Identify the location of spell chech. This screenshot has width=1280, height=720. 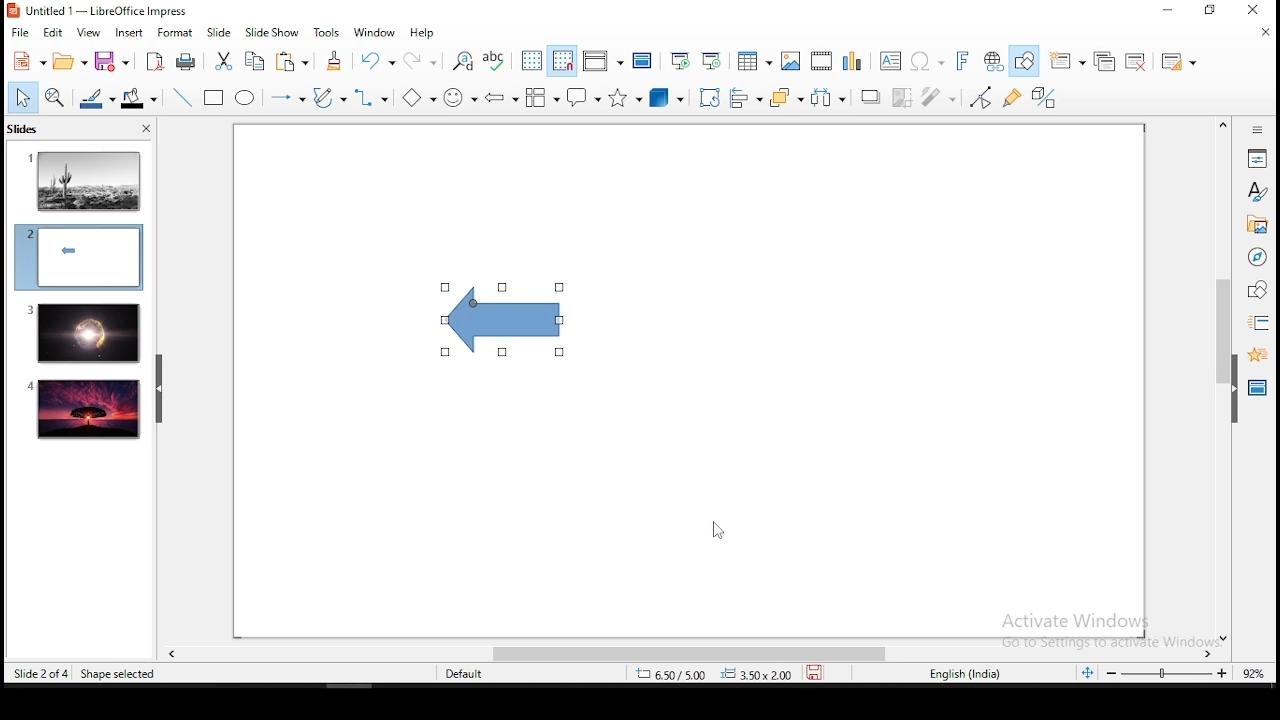
(494, 59).